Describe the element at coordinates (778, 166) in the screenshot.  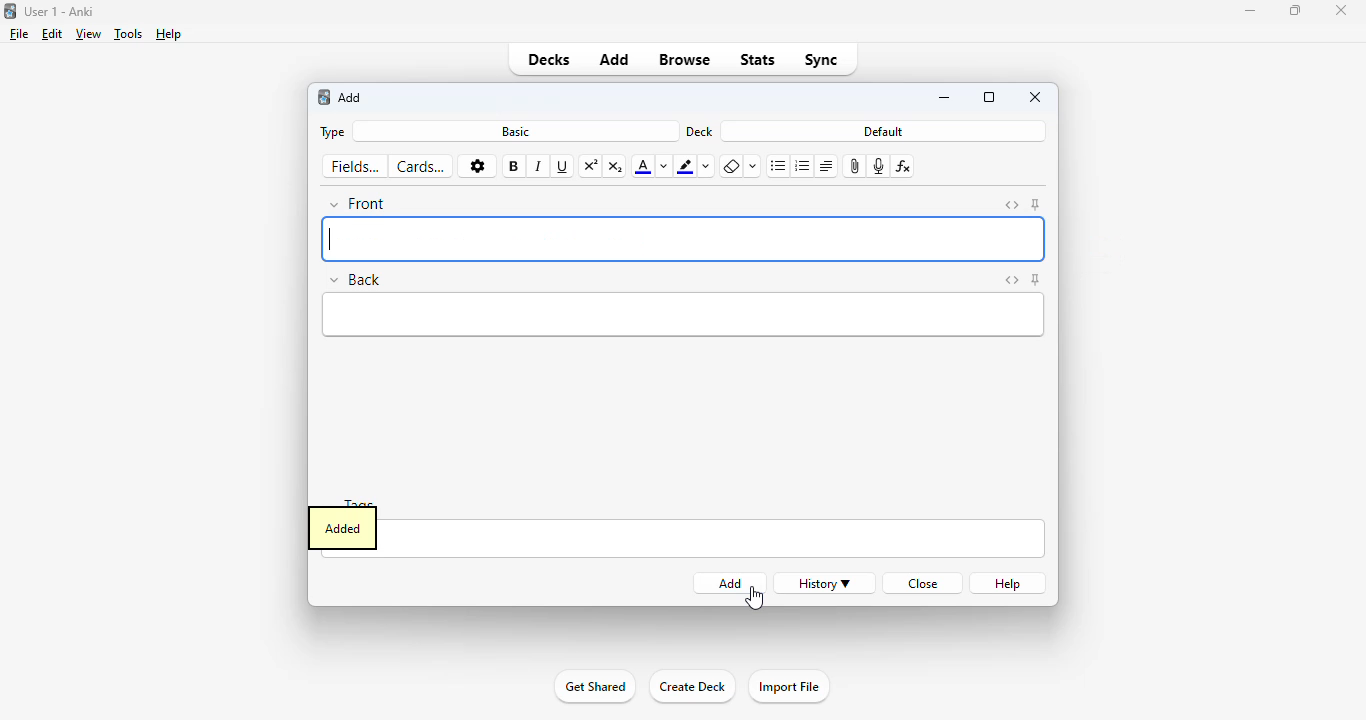
I see `unordered list` at that location.